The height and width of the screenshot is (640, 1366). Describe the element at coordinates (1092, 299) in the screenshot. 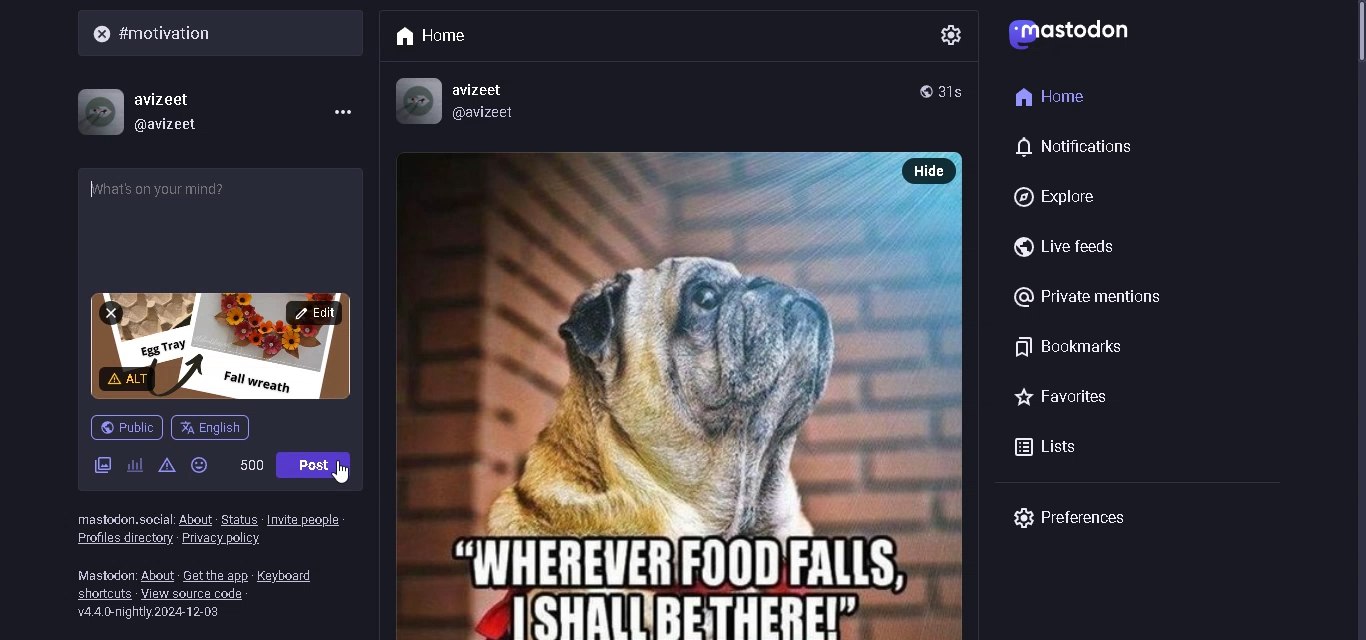

I see `private mentions` at that location.